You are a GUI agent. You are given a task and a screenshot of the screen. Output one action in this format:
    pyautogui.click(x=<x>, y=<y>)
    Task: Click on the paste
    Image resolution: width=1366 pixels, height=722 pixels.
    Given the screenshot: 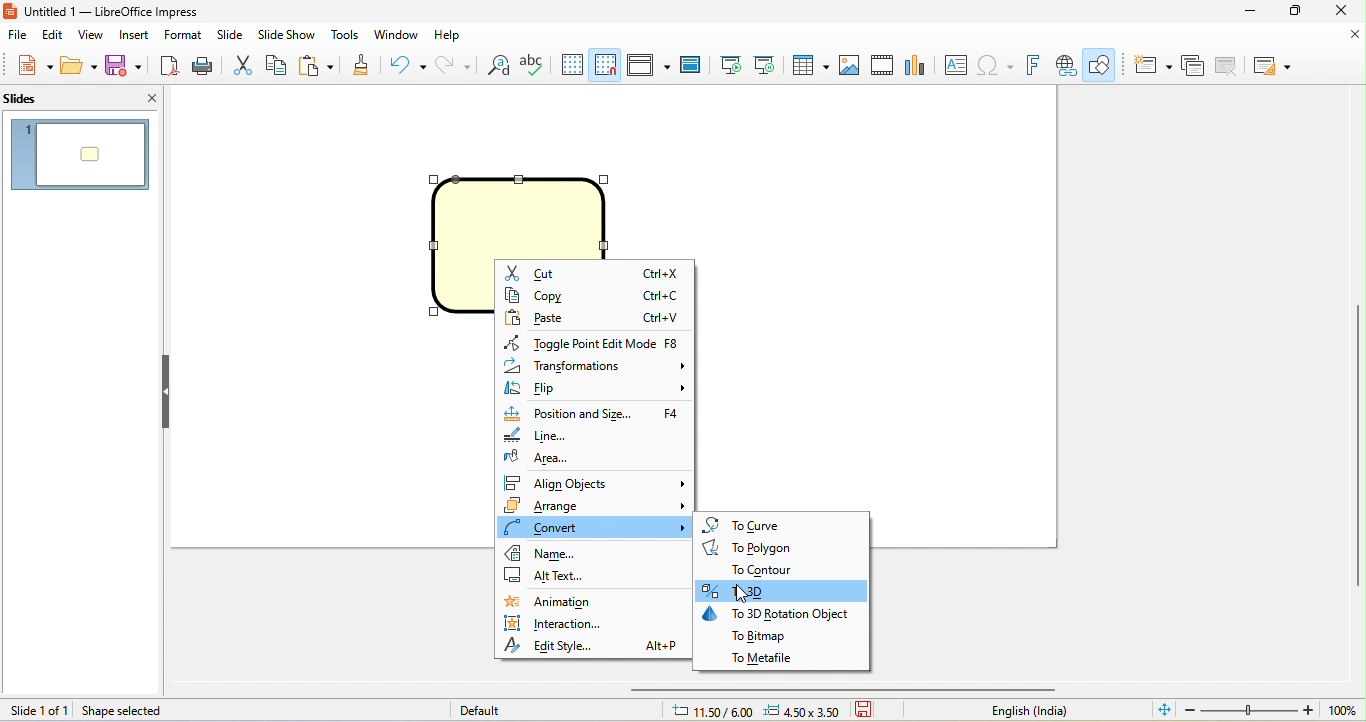 What is the action you would take?
    pyautogui.click(x=591, y=317)
    